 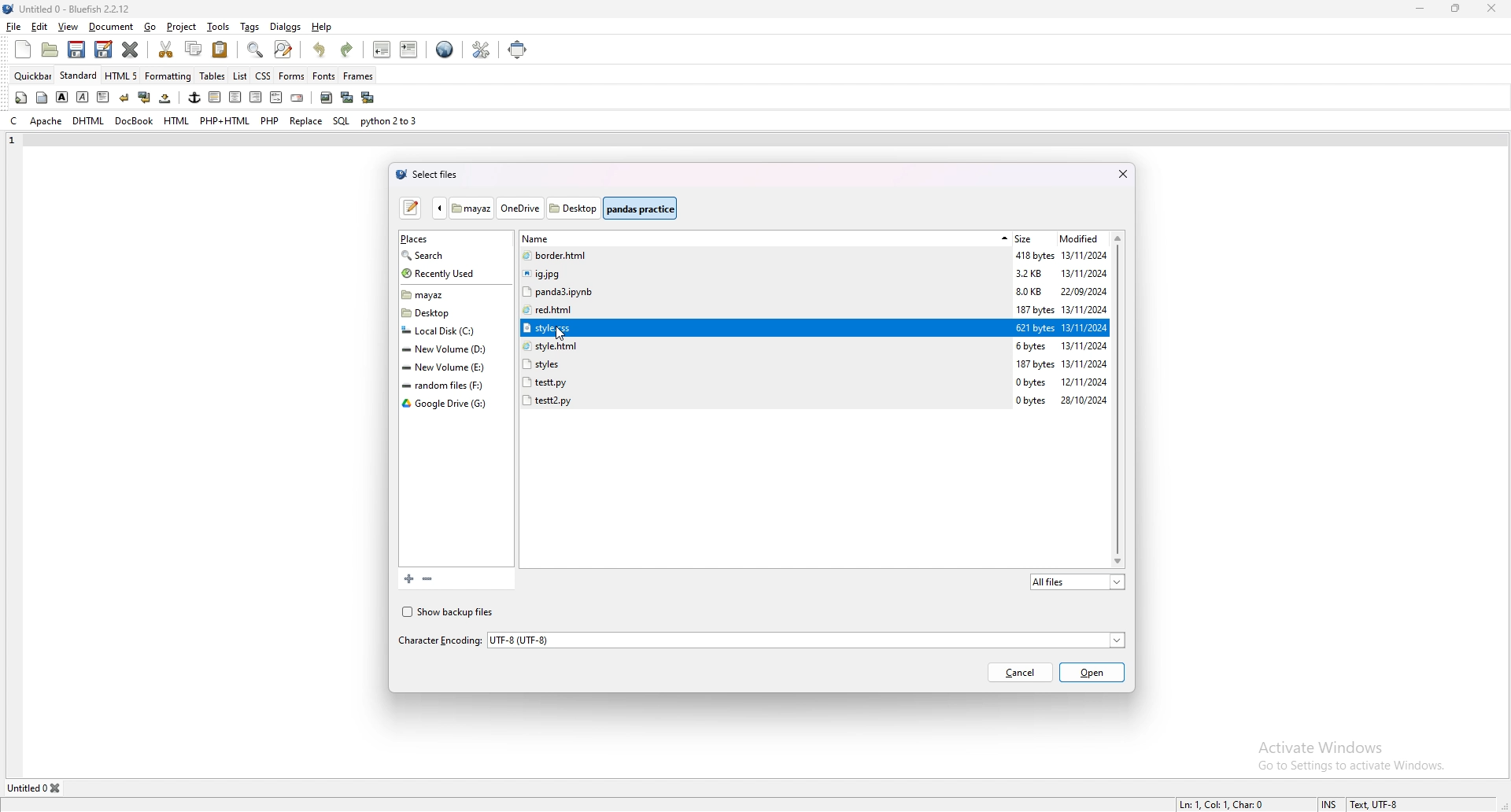 I want to click on italic, so click(x=83, y=98).